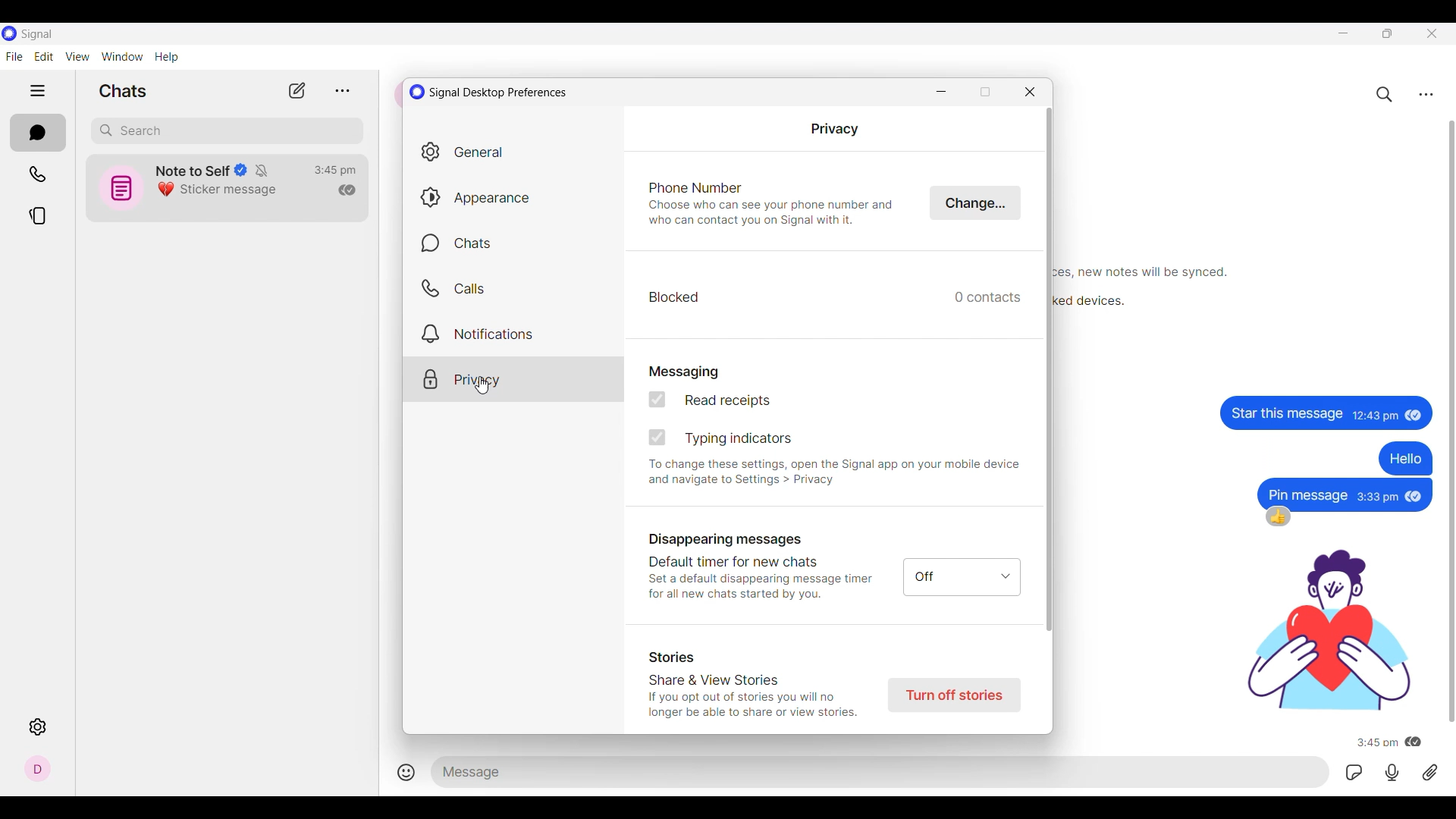  Describe the element at coordinates (766, 206) in the screenshot. I see `Phone Number
Choose who can see your phone number and
who can contact you on Signal with it.` at that location.